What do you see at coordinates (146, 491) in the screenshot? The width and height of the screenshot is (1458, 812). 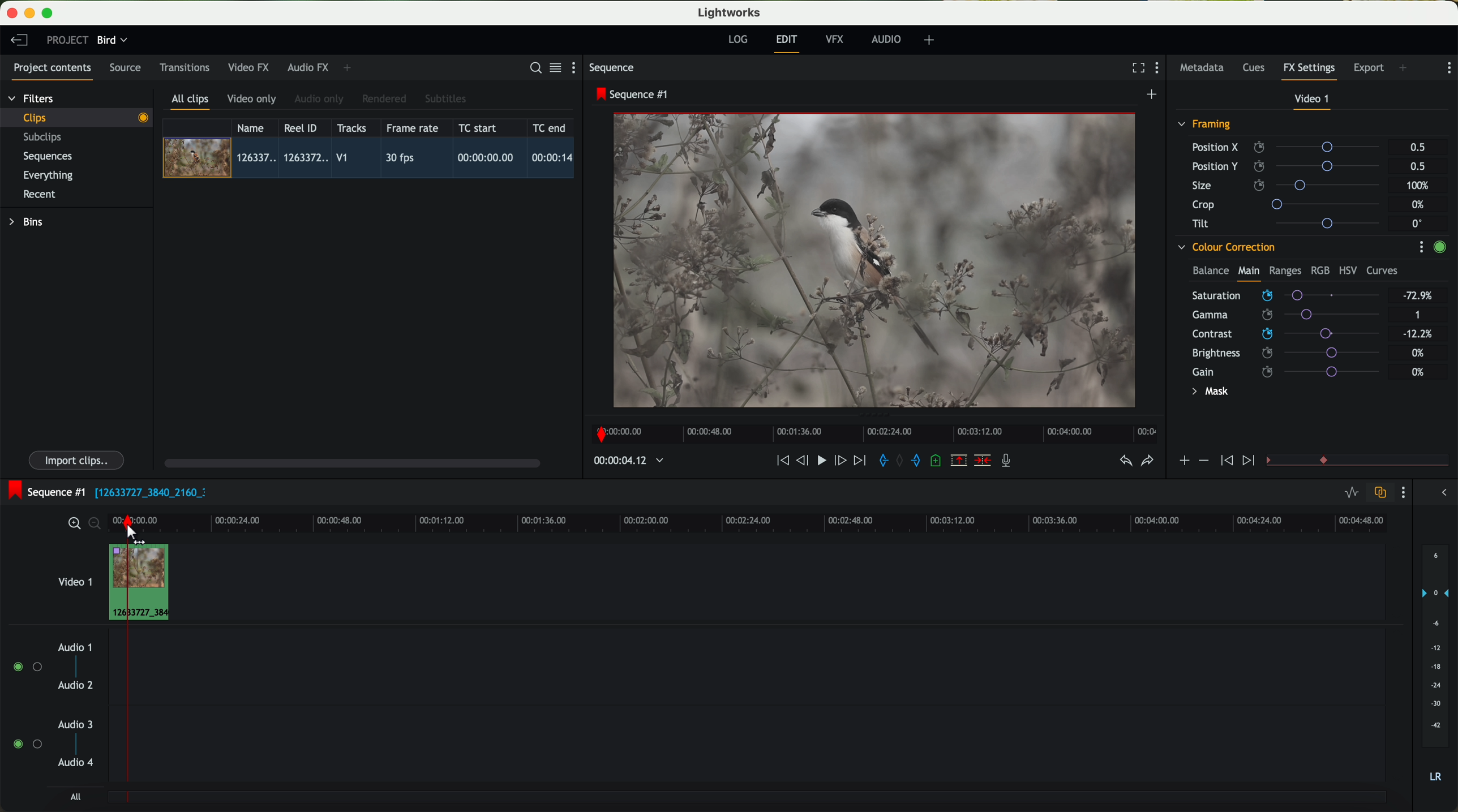 I see `black` at bounding box center [146, 491].